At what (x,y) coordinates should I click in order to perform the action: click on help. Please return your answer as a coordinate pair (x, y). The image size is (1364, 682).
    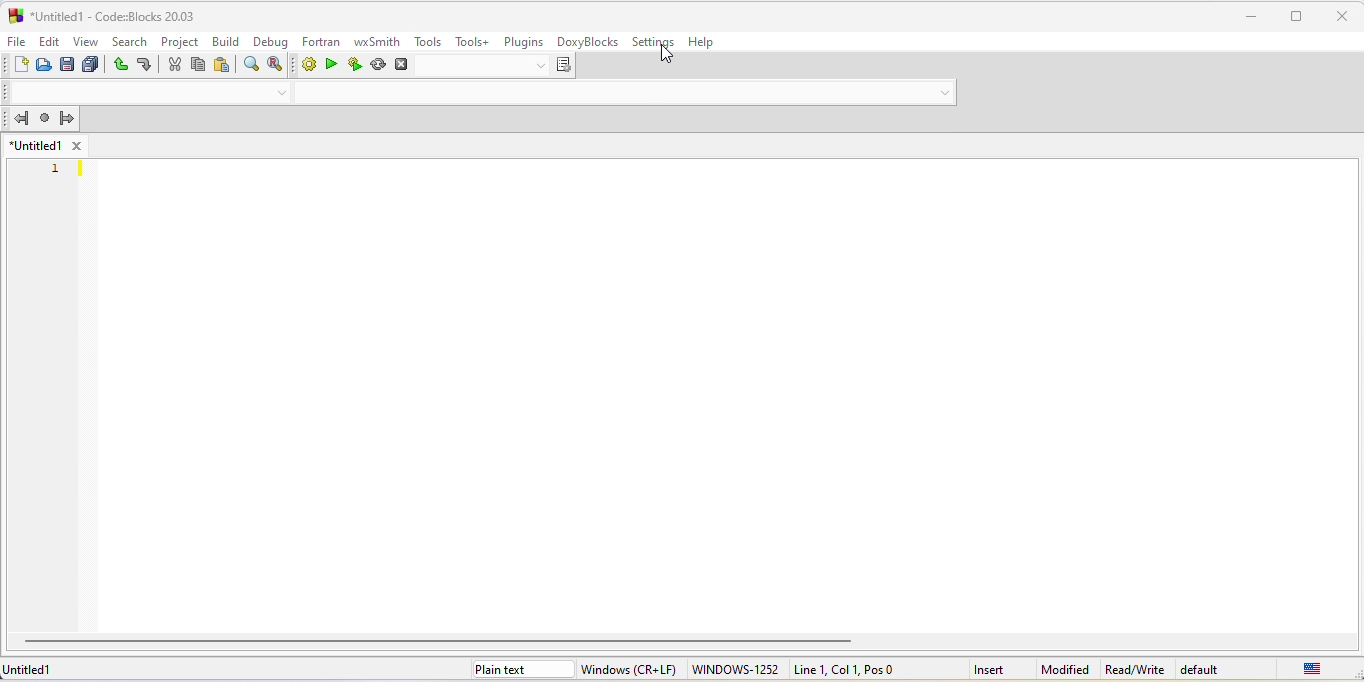
    Looking at the image, I should click on (705, 41).